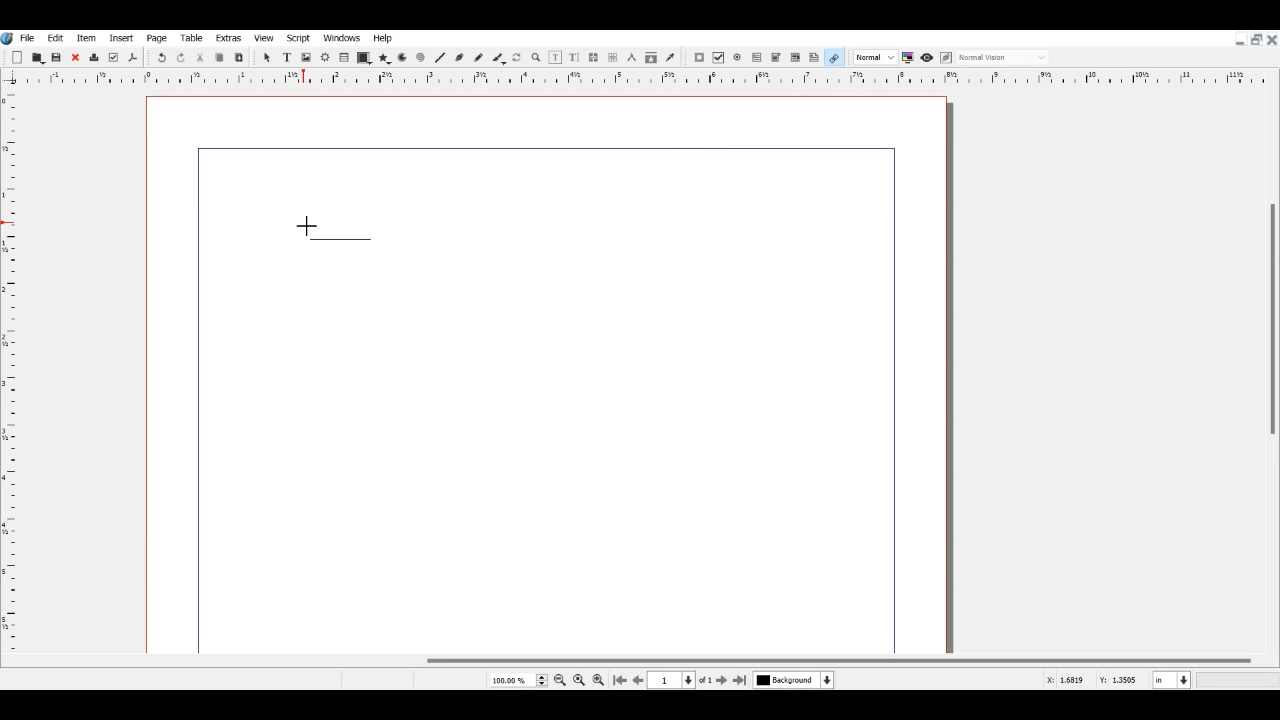 This screenshot has height=720, width=1280. Describe the element at coordinates (555, 57) in the screenshot. I see `Edit content of frame` at that location.